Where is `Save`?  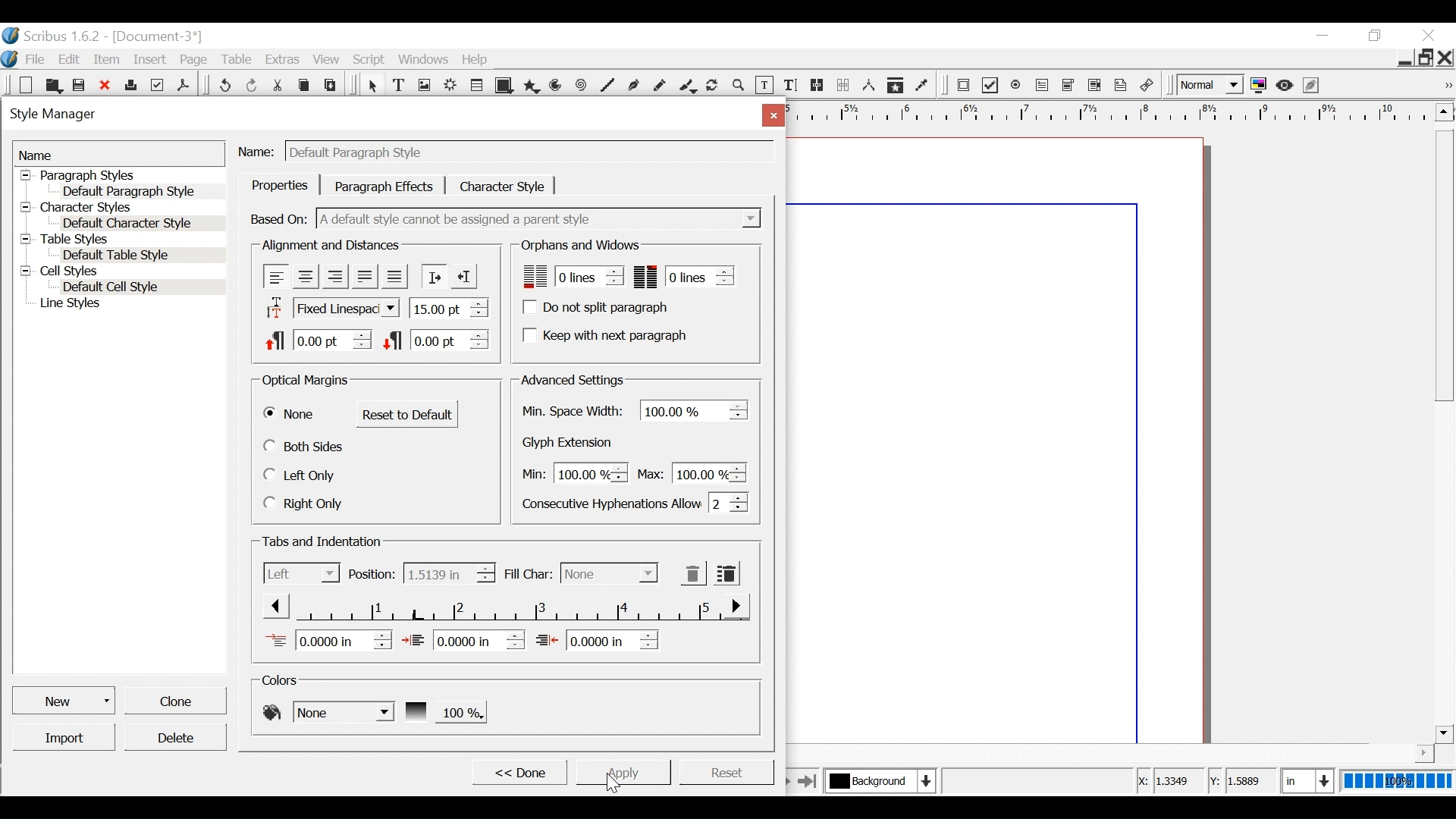
Save is located at coordinates (80, 84).